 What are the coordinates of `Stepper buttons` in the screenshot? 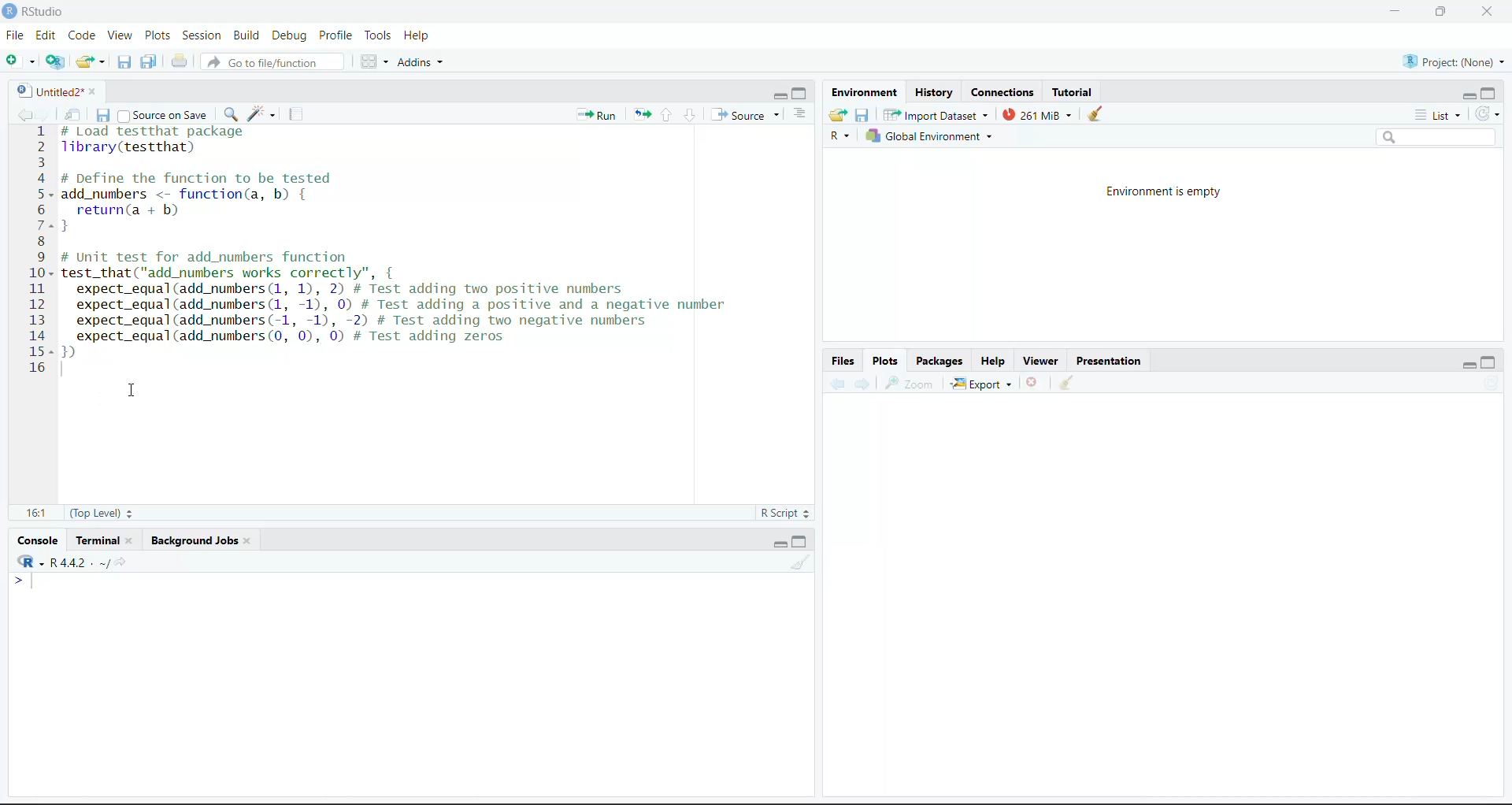 It's located at (133, 513).